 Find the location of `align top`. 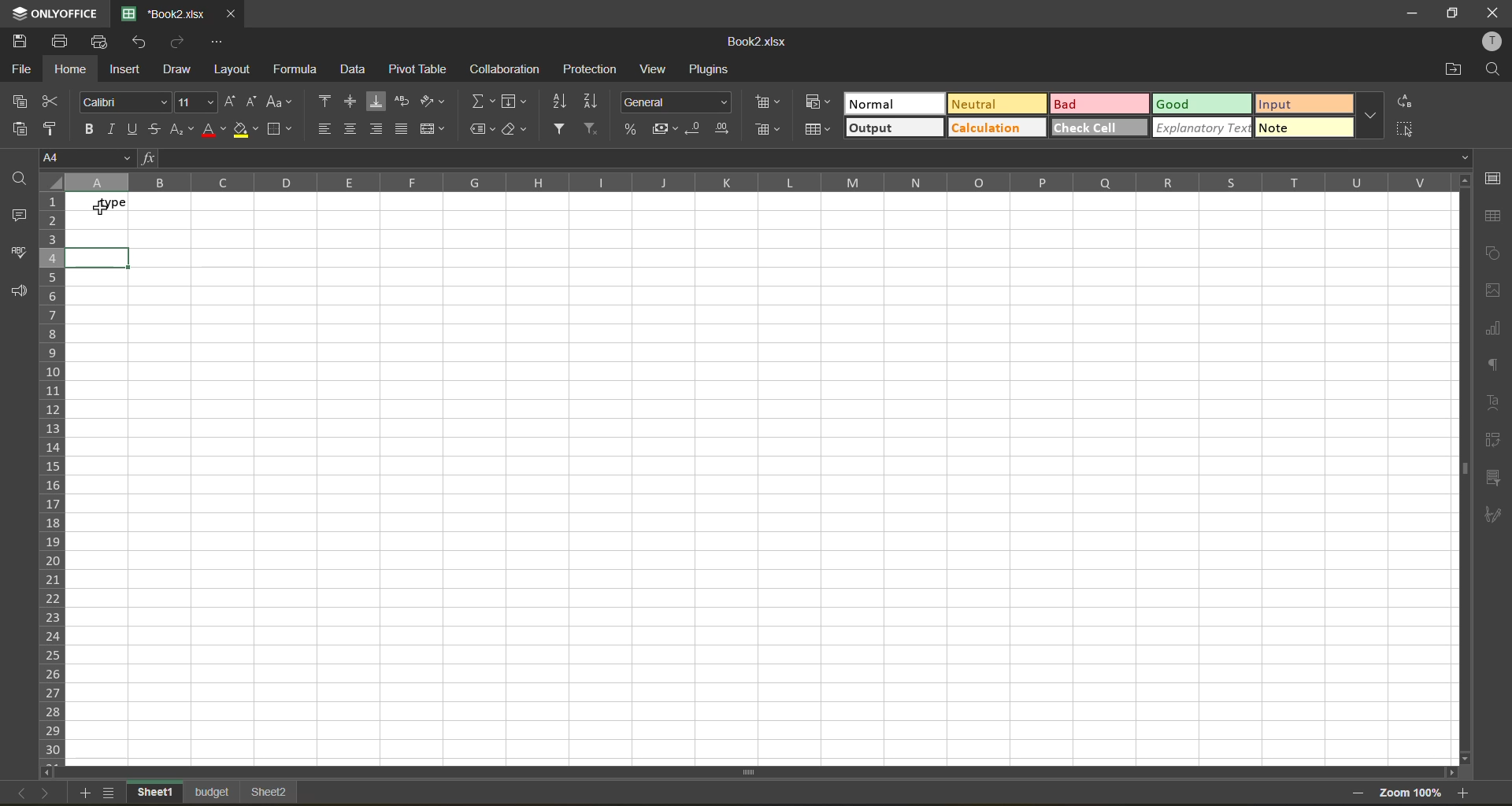

align top is located at coordinates (326, 102).